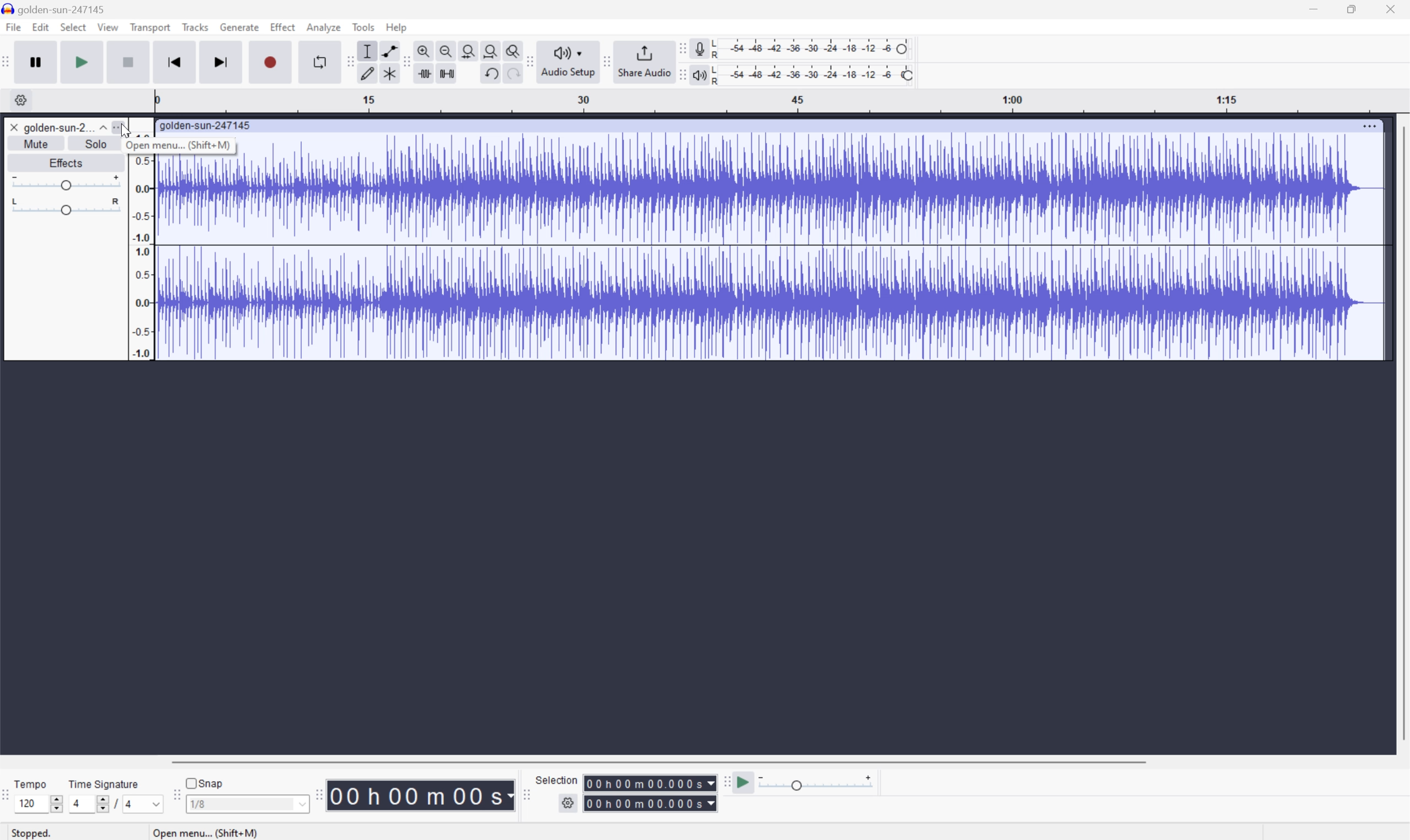  What do you see at coordinates (661, 761) in the screenshot?
I see `Scroll Bar` at bounding box center [661, 761].